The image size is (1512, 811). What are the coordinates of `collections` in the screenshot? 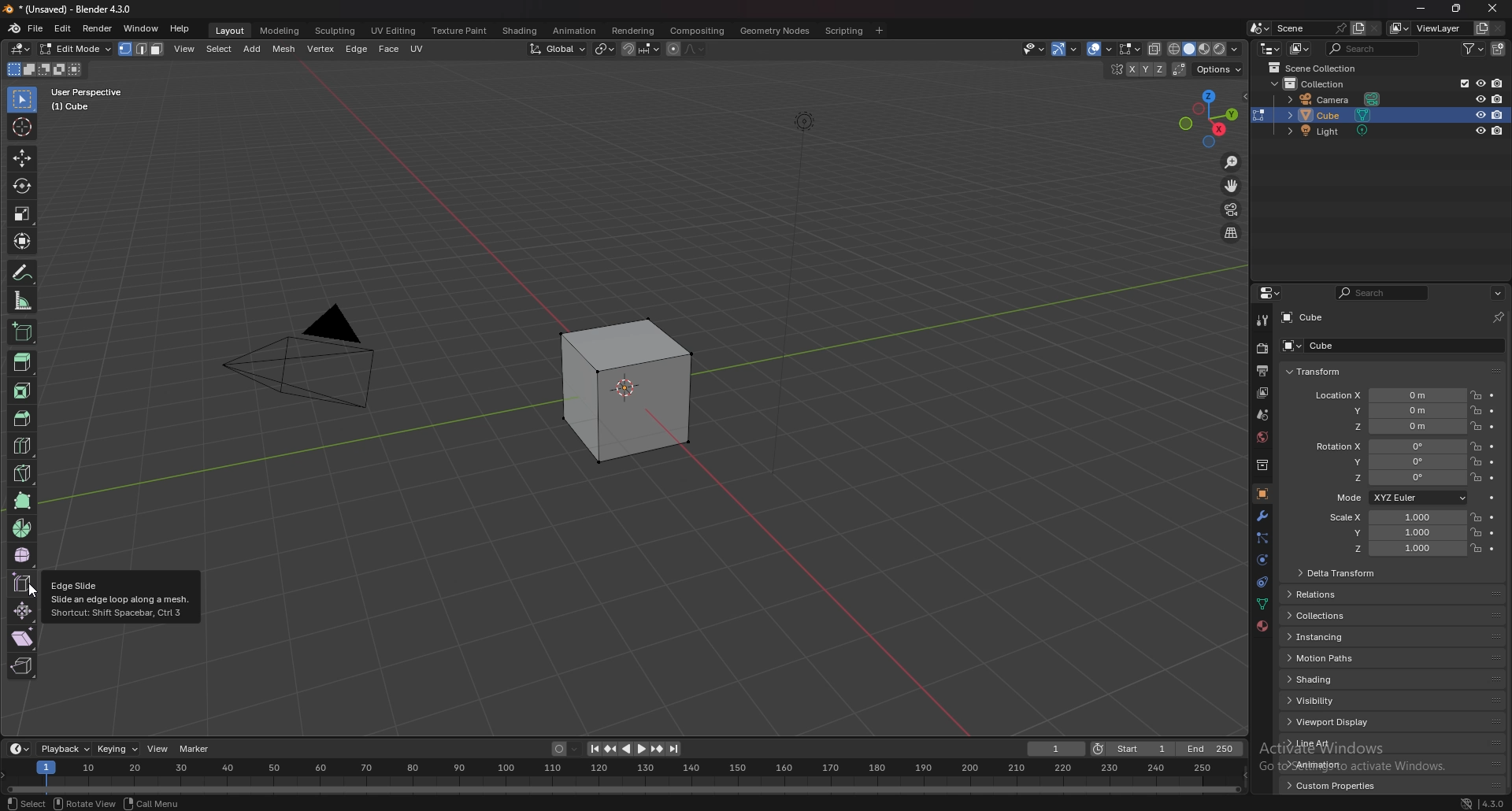 It's located at (1325, 617).